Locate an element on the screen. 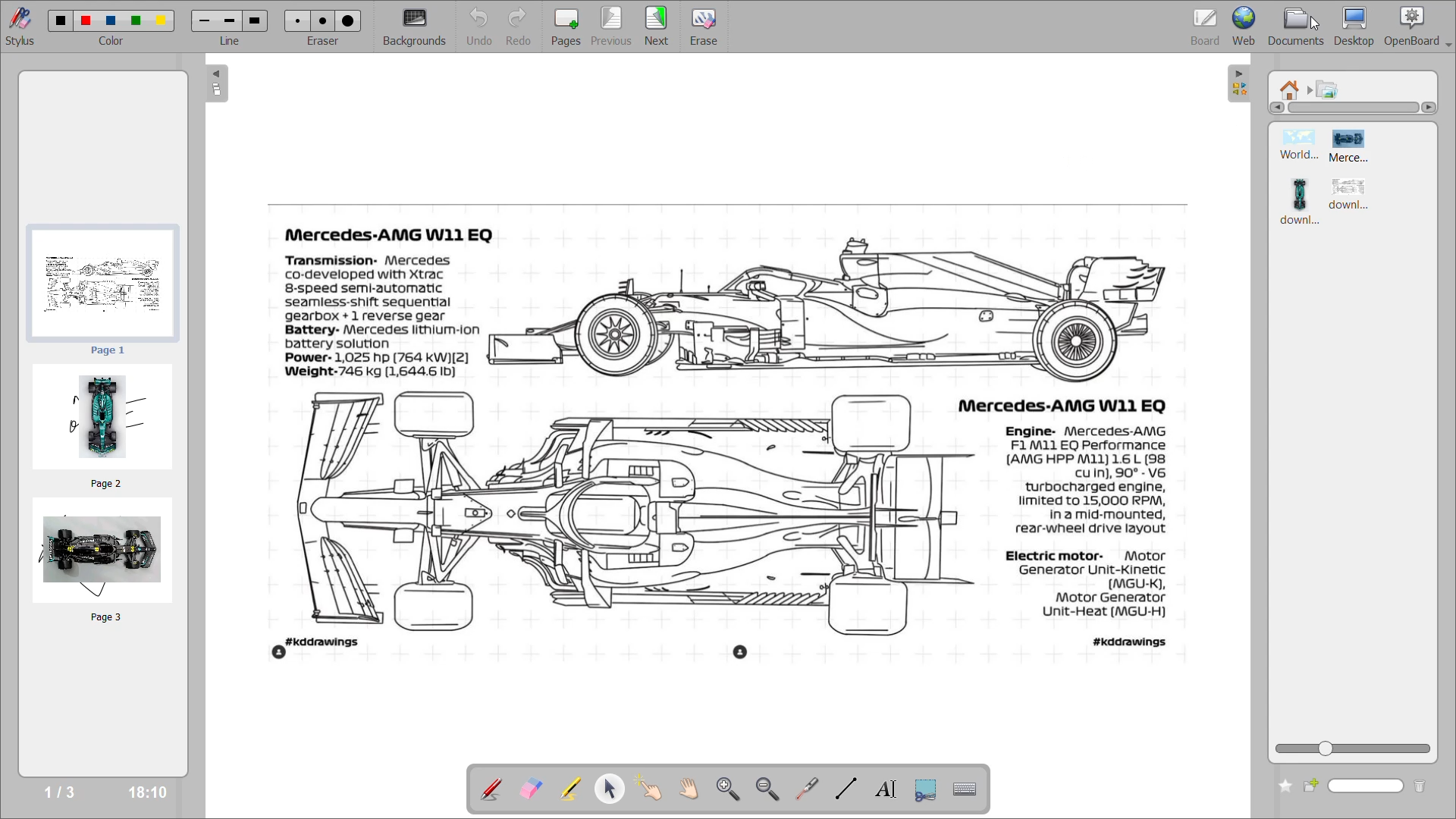 This screenshot has height=819, width=1456. name field is located at coordinates (1369, 787).